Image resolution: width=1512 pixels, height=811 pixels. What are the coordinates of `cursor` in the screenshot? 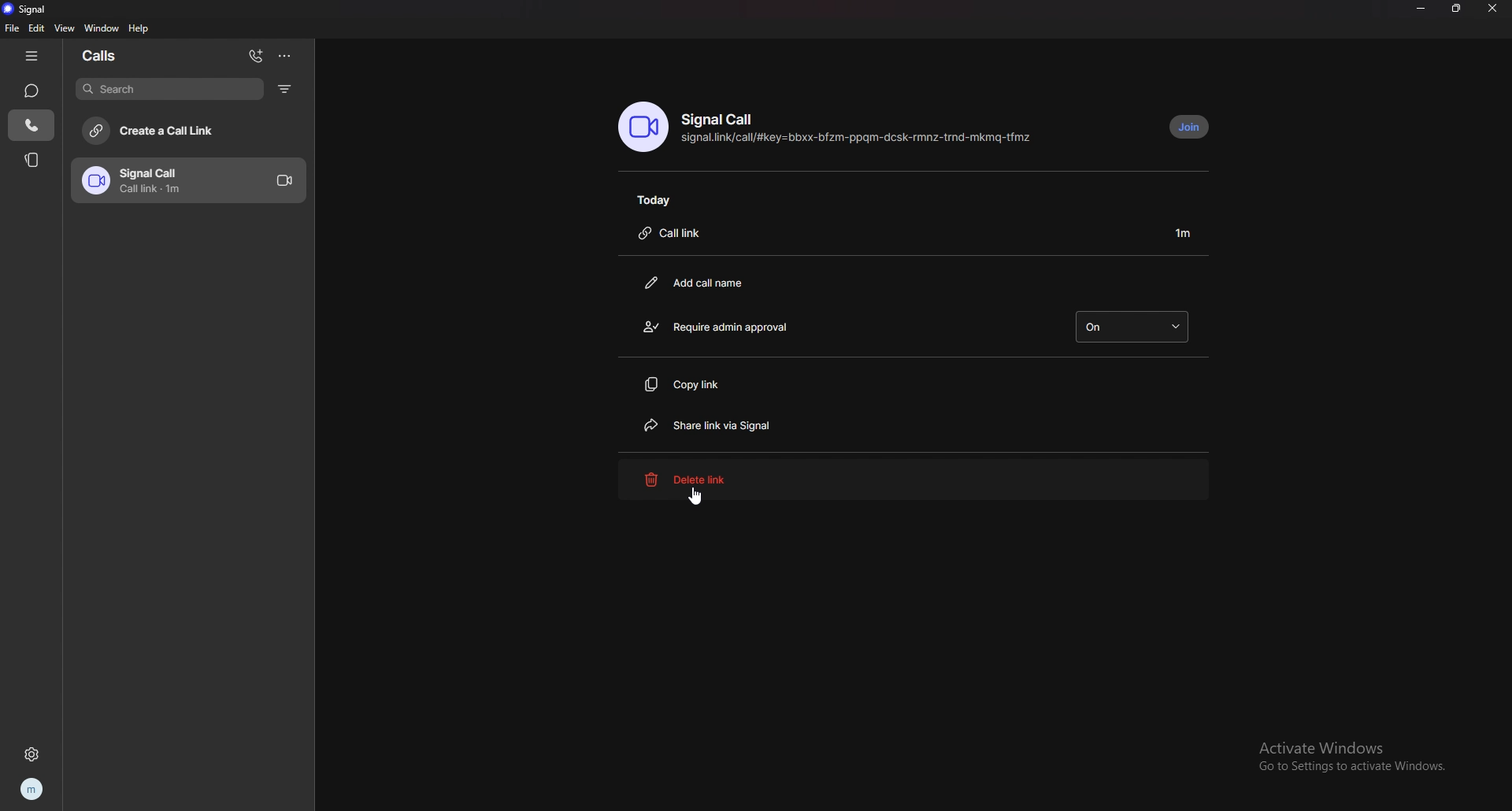 It's located at (697, 496).